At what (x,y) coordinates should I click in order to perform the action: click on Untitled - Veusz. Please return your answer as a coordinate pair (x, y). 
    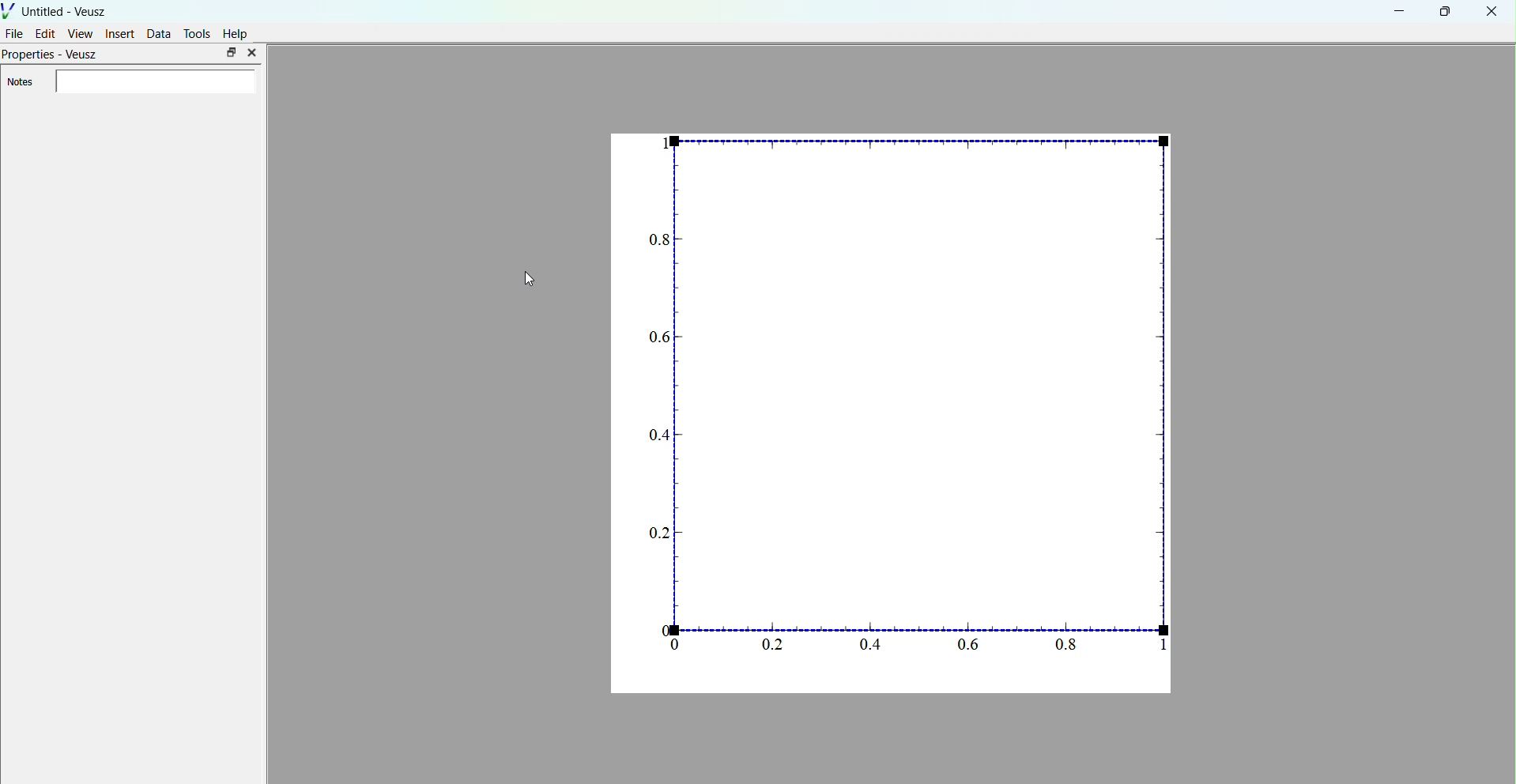
    Looking at the image, I should click on (57, 9).